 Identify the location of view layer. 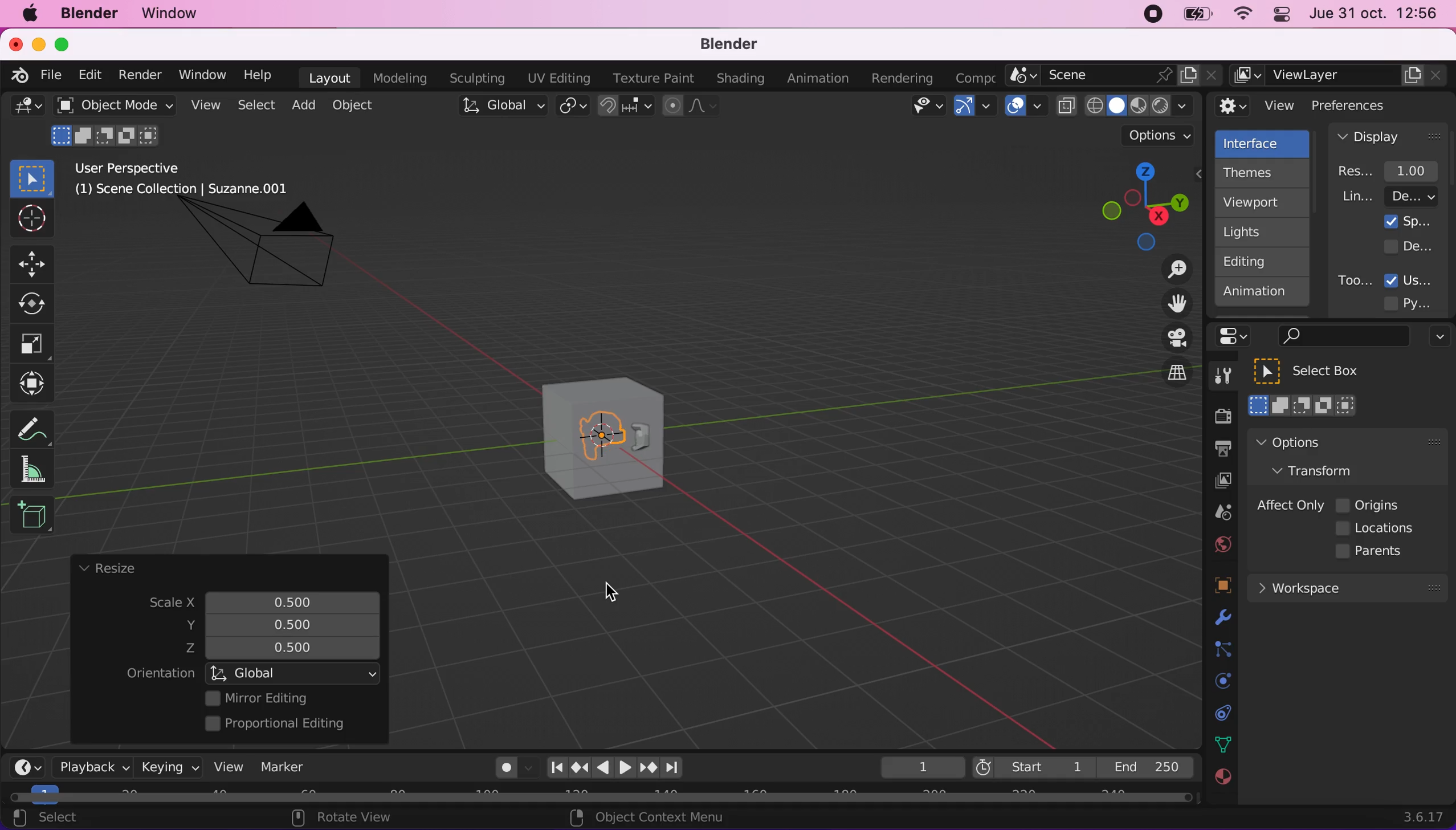
(1340, 76).